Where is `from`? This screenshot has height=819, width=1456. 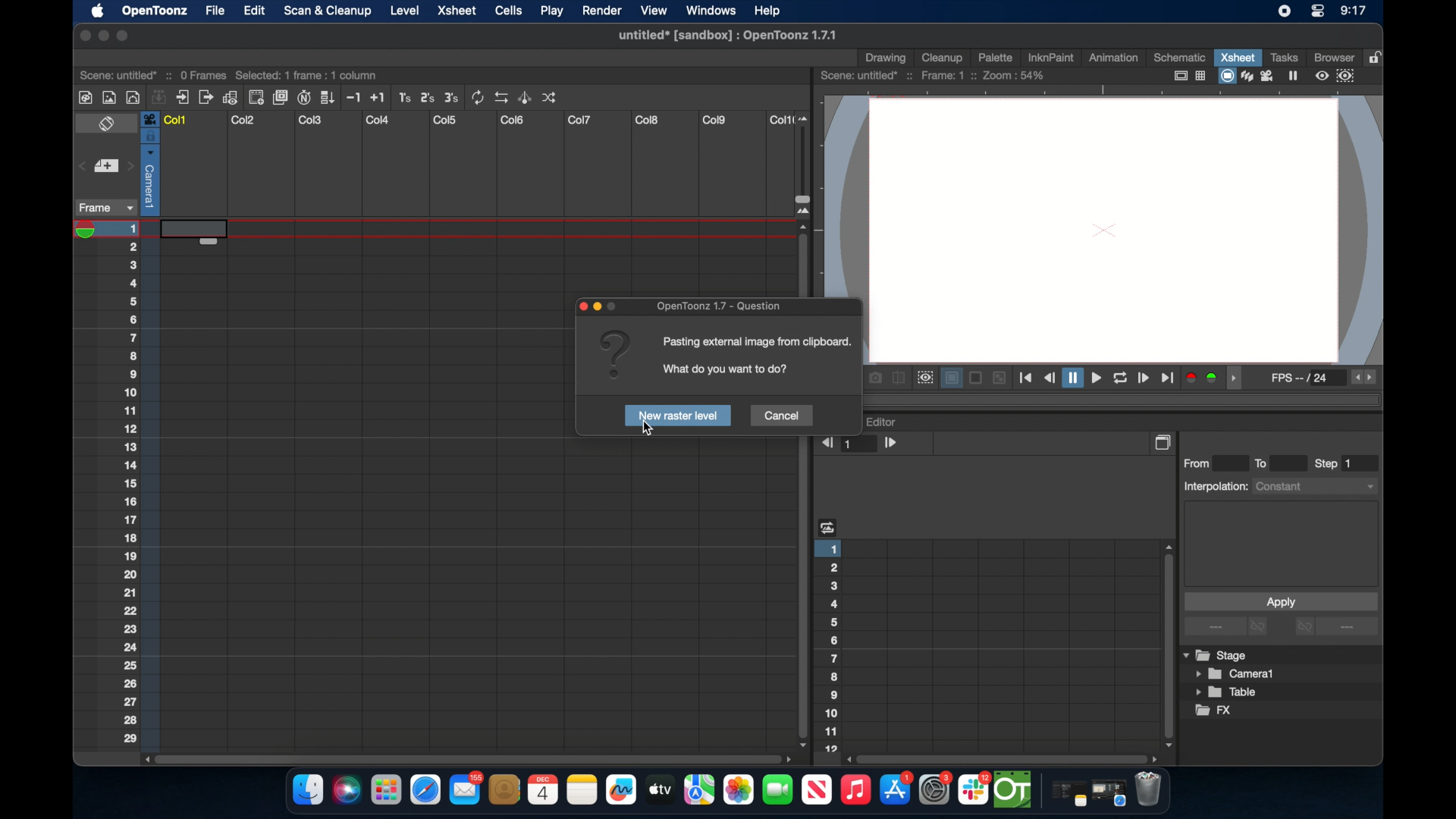 from is located at coordinates (1200, 463).